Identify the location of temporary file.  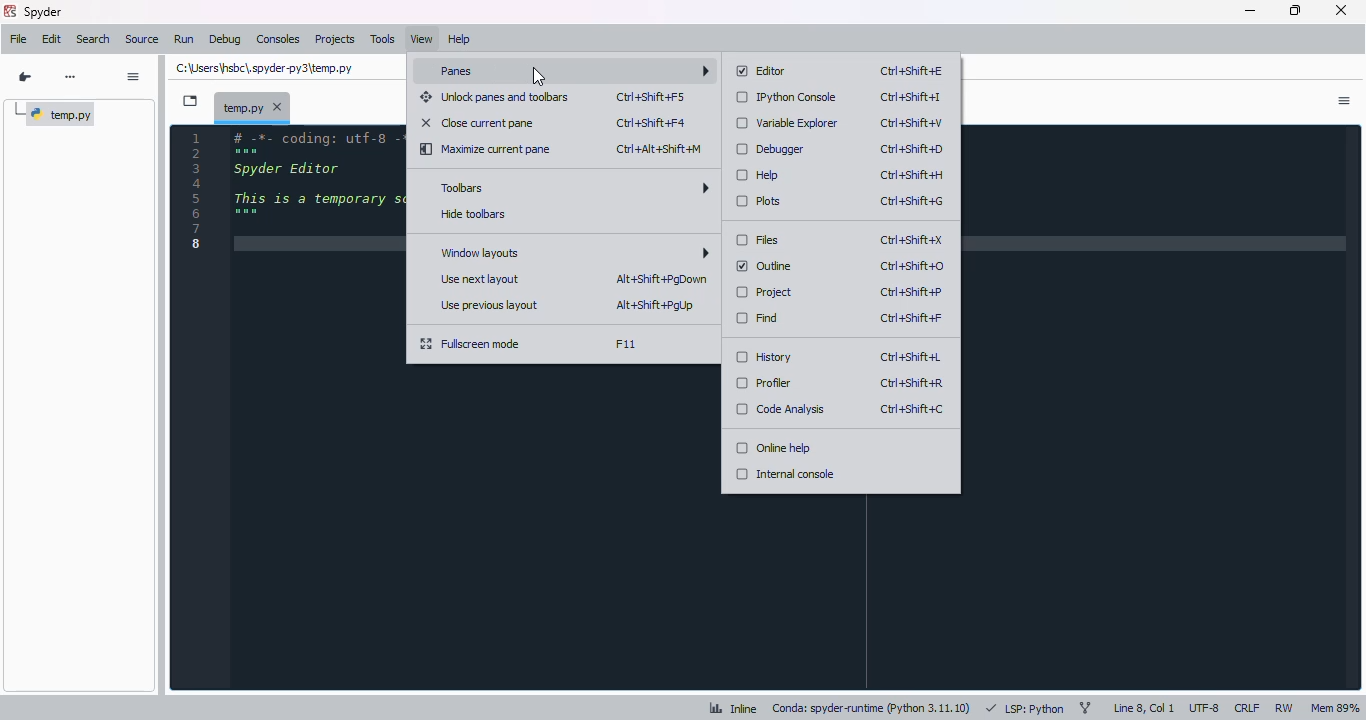
(254, 107).